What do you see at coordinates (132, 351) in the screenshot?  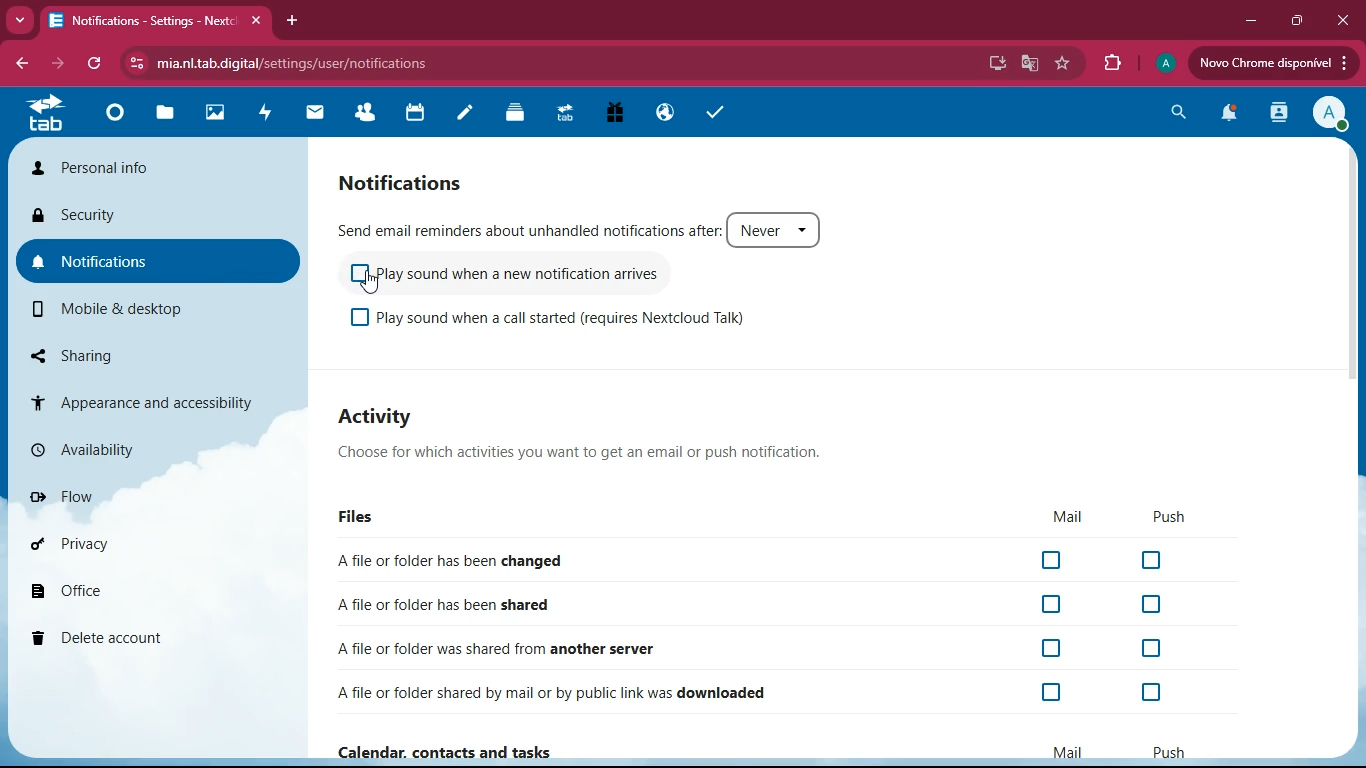 I see `sharing` at bounding box center [132, 351].